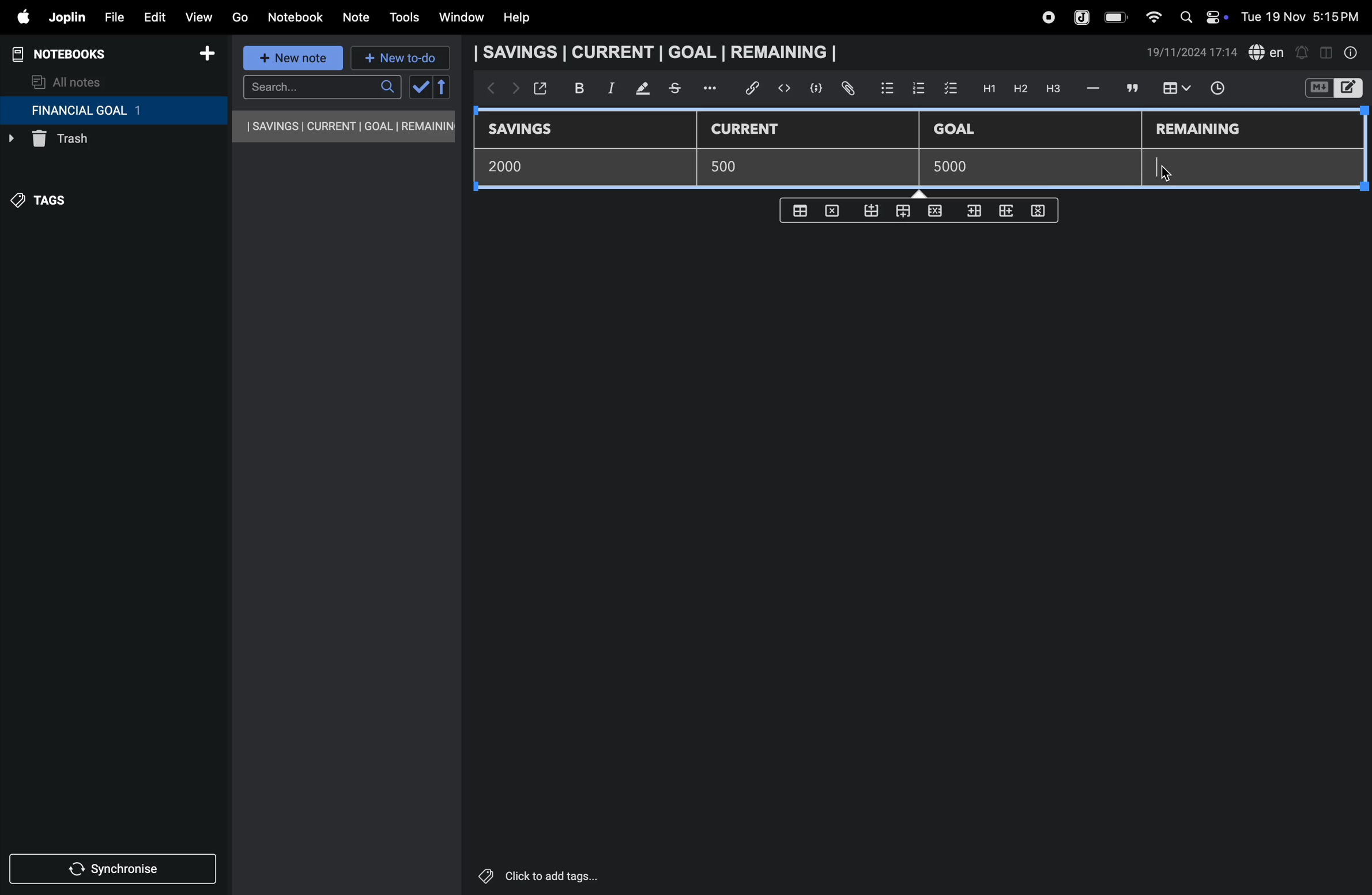 The width and height of the screenshot is (1372, 895). What do you see at coordinates (67, 81) in the screenshot?
I see `all notes` at bounding box center [67, 81].